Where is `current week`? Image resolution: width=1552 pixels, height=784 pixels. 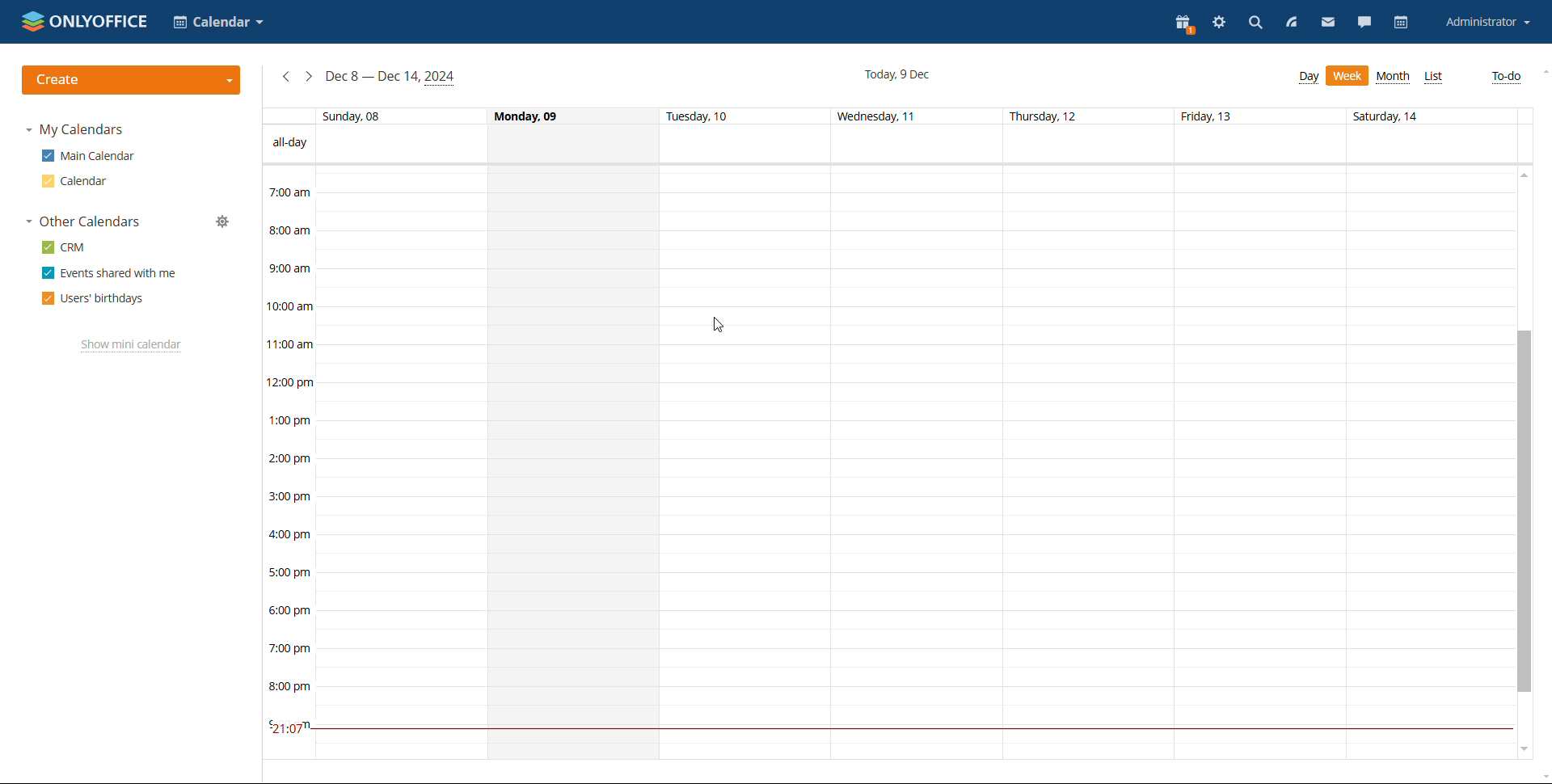 current week is located at coordinates (391, 77).